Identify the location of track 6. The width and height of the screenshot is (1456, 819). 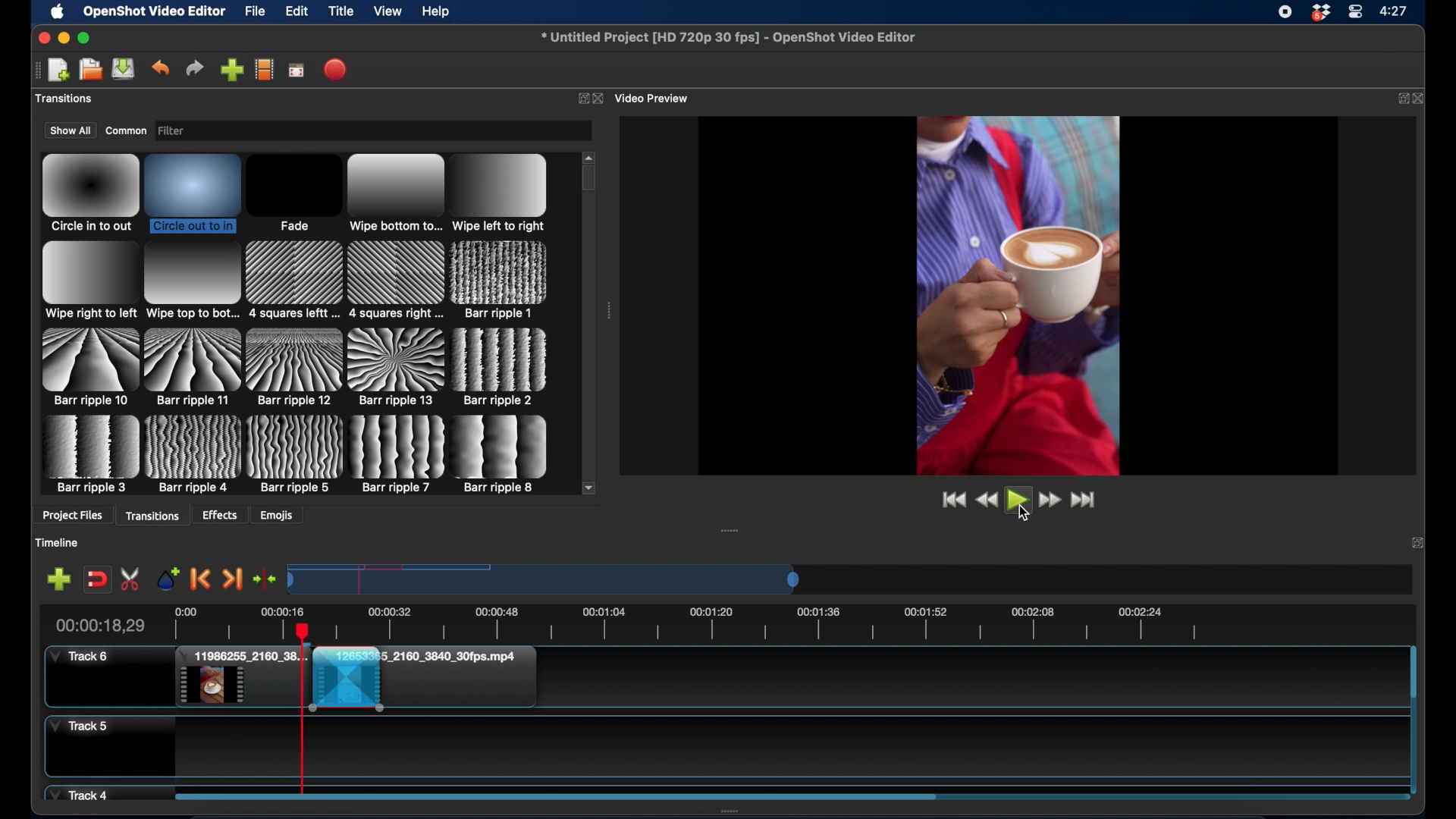
(80, 657).